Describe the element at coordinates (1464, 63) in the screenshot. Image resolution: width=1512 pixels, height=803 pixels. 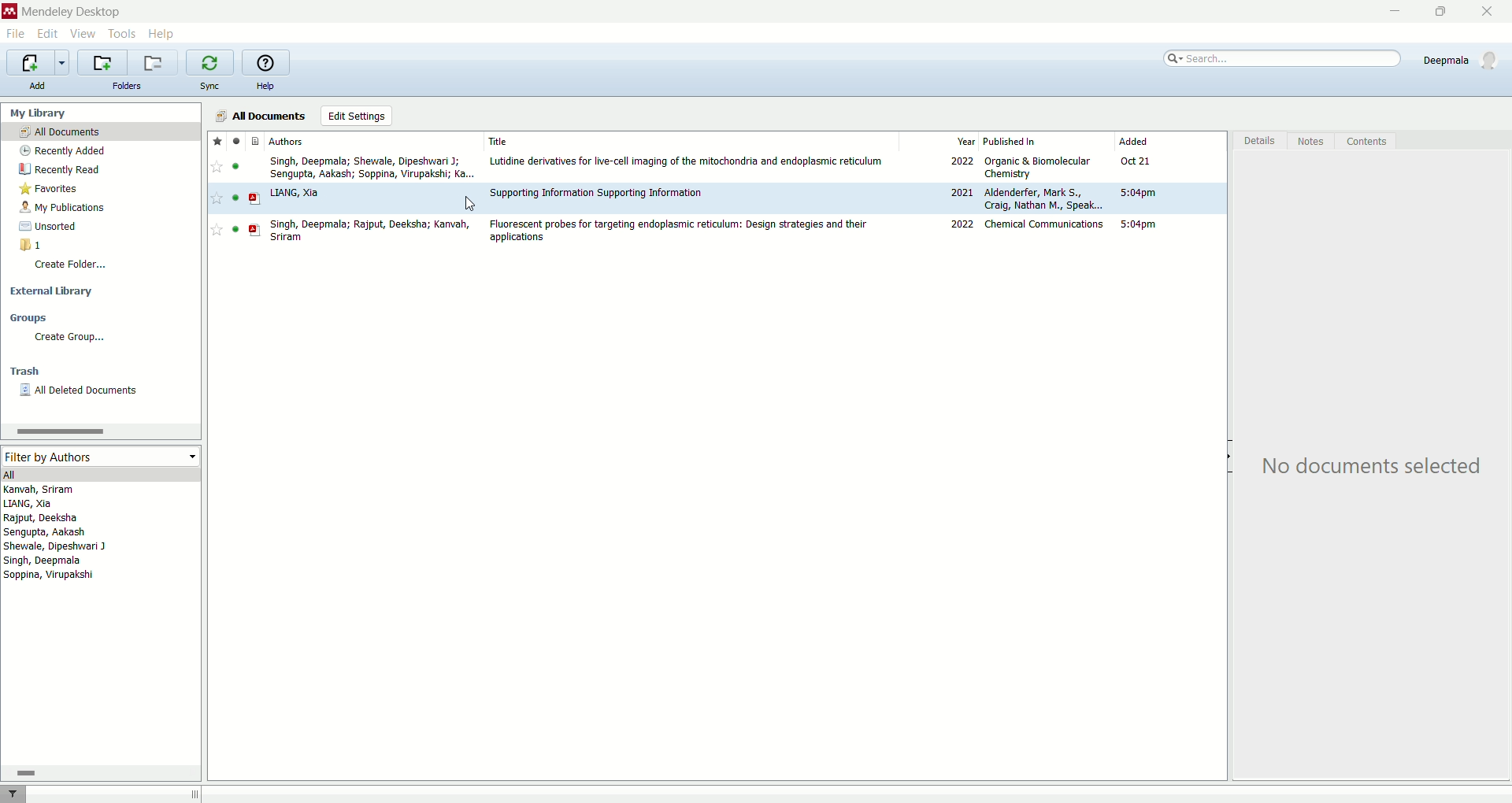
I see `deepmala` at that location.